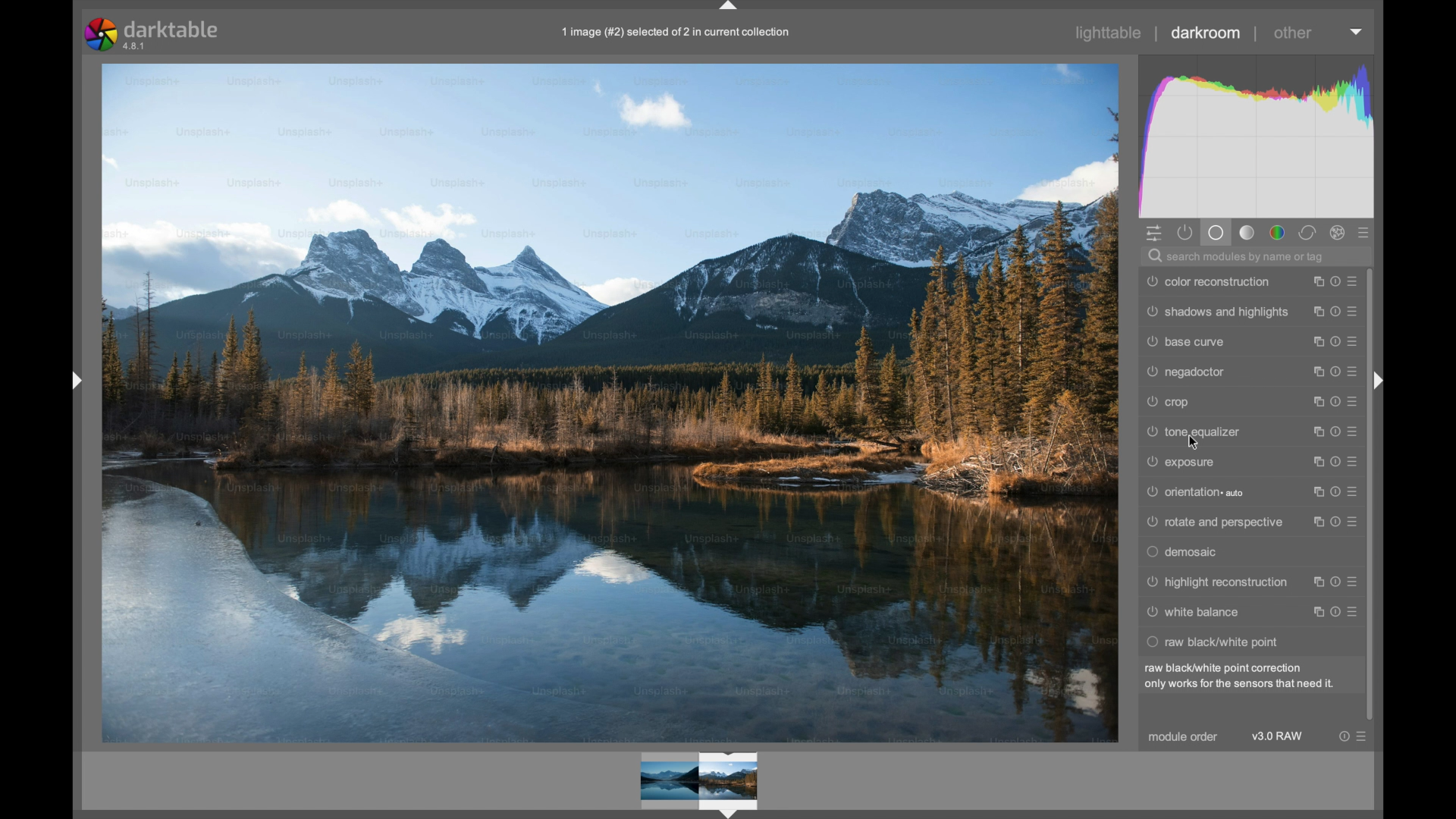  What do you see at coordinates (1194, 613) in the screenshot?
I see `white balance` at bounding box center [1194, 613].